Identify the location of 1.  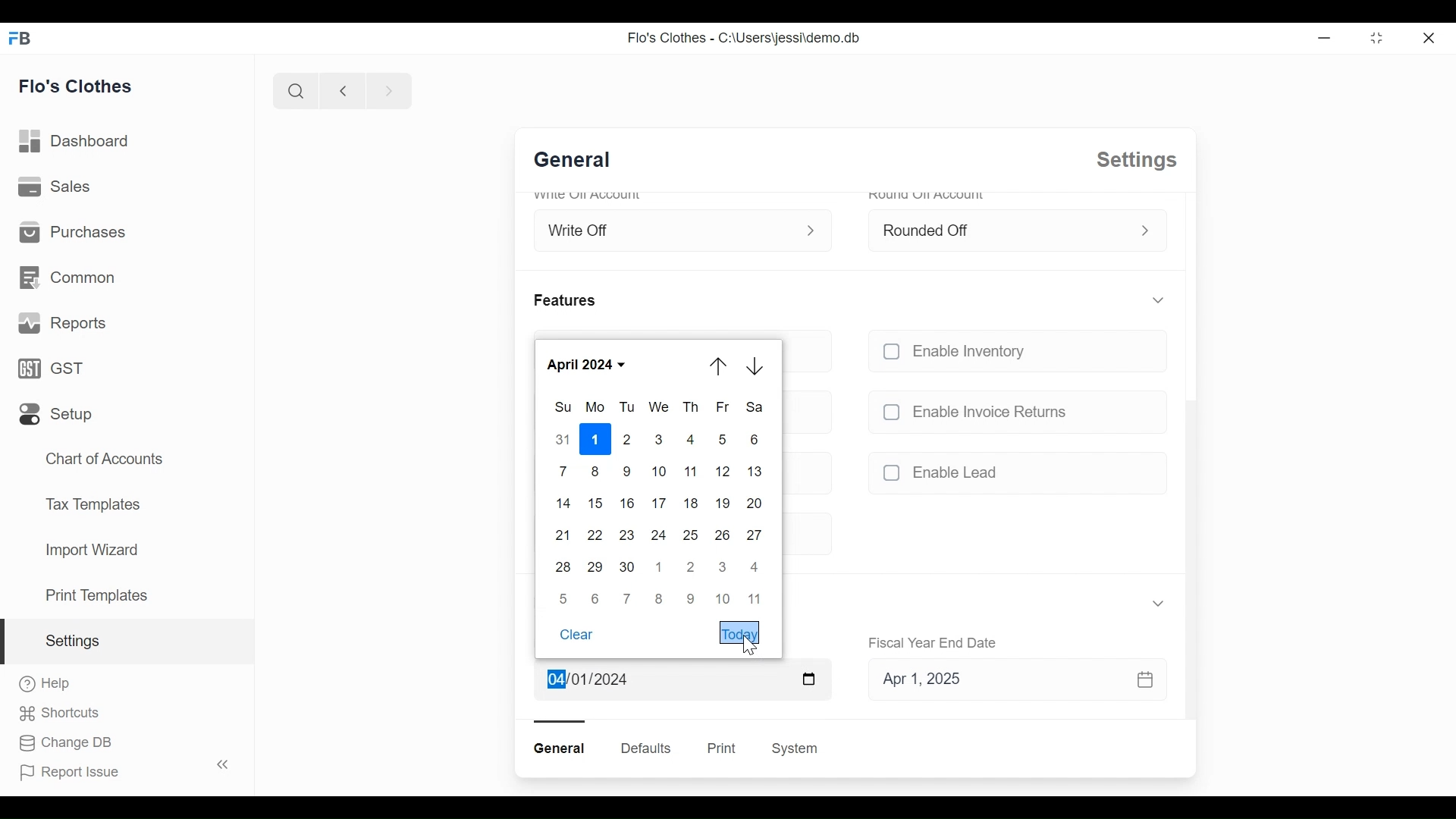
(661, 566).